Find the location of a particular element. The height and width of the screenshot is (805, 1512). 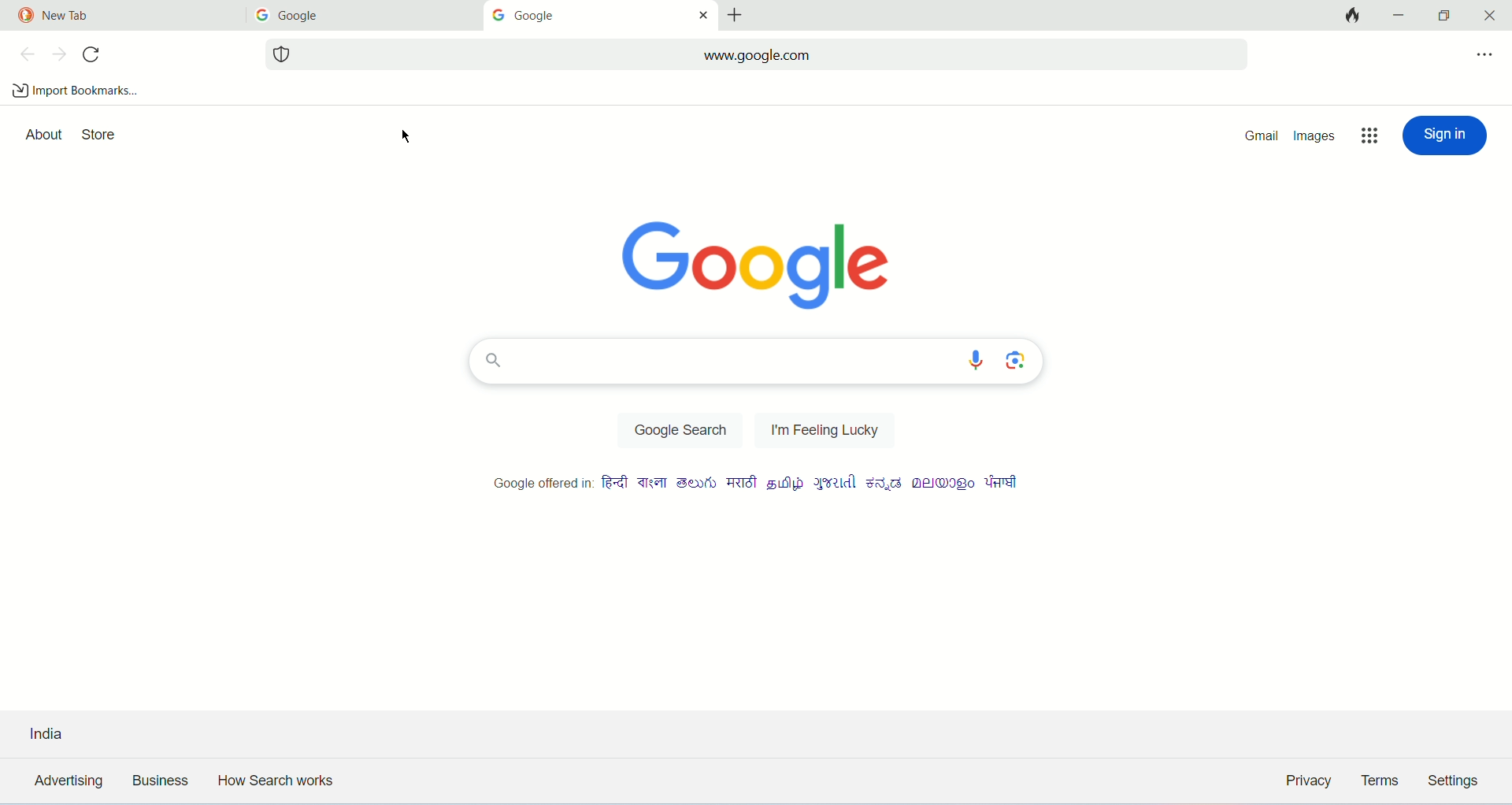

mouse cursor is located at coordinates (413, 142).